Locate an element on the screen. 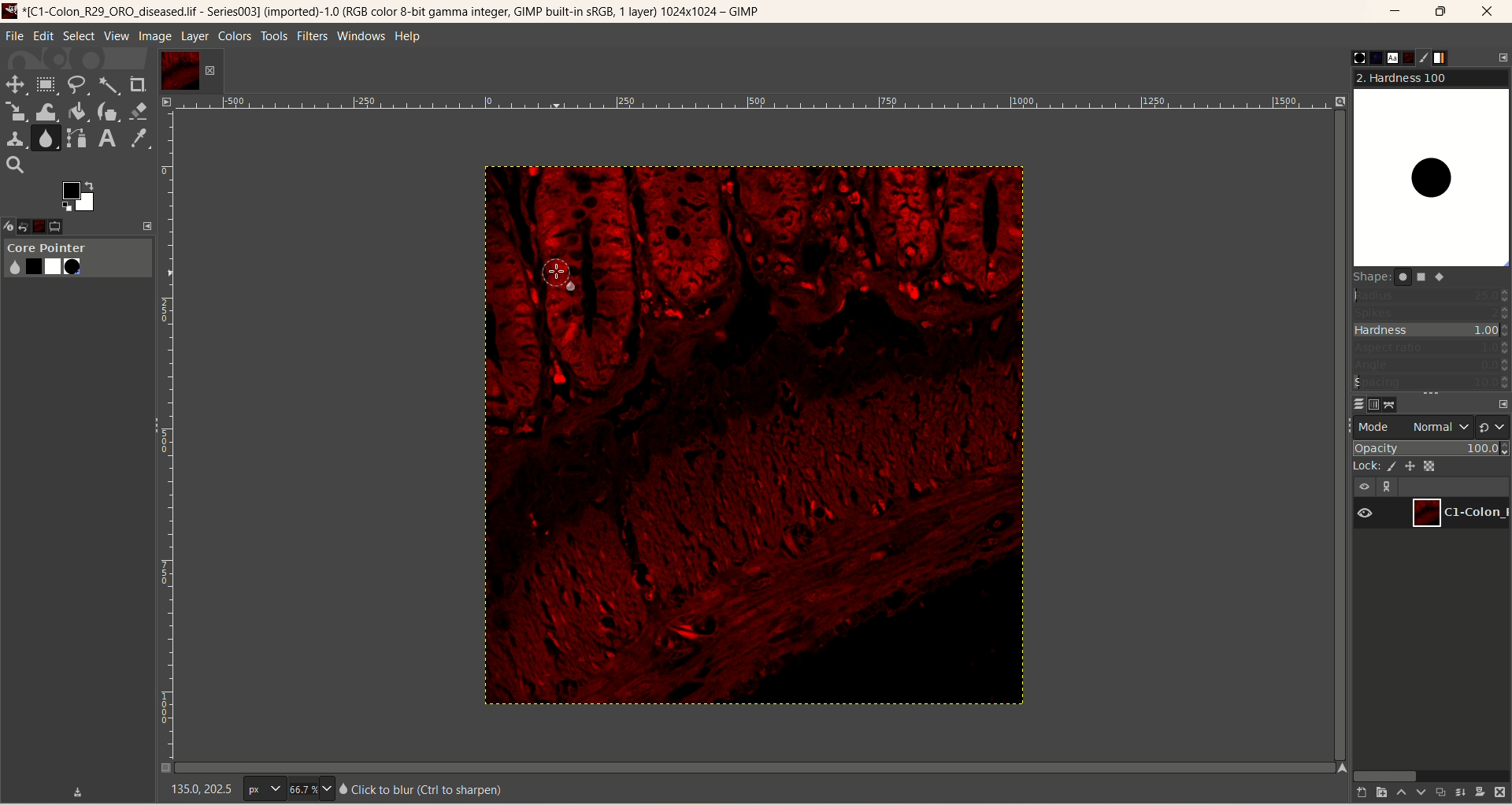 The width and height of the screenshot is (1512, 805). layer1 is located at coordinates (190, 71).